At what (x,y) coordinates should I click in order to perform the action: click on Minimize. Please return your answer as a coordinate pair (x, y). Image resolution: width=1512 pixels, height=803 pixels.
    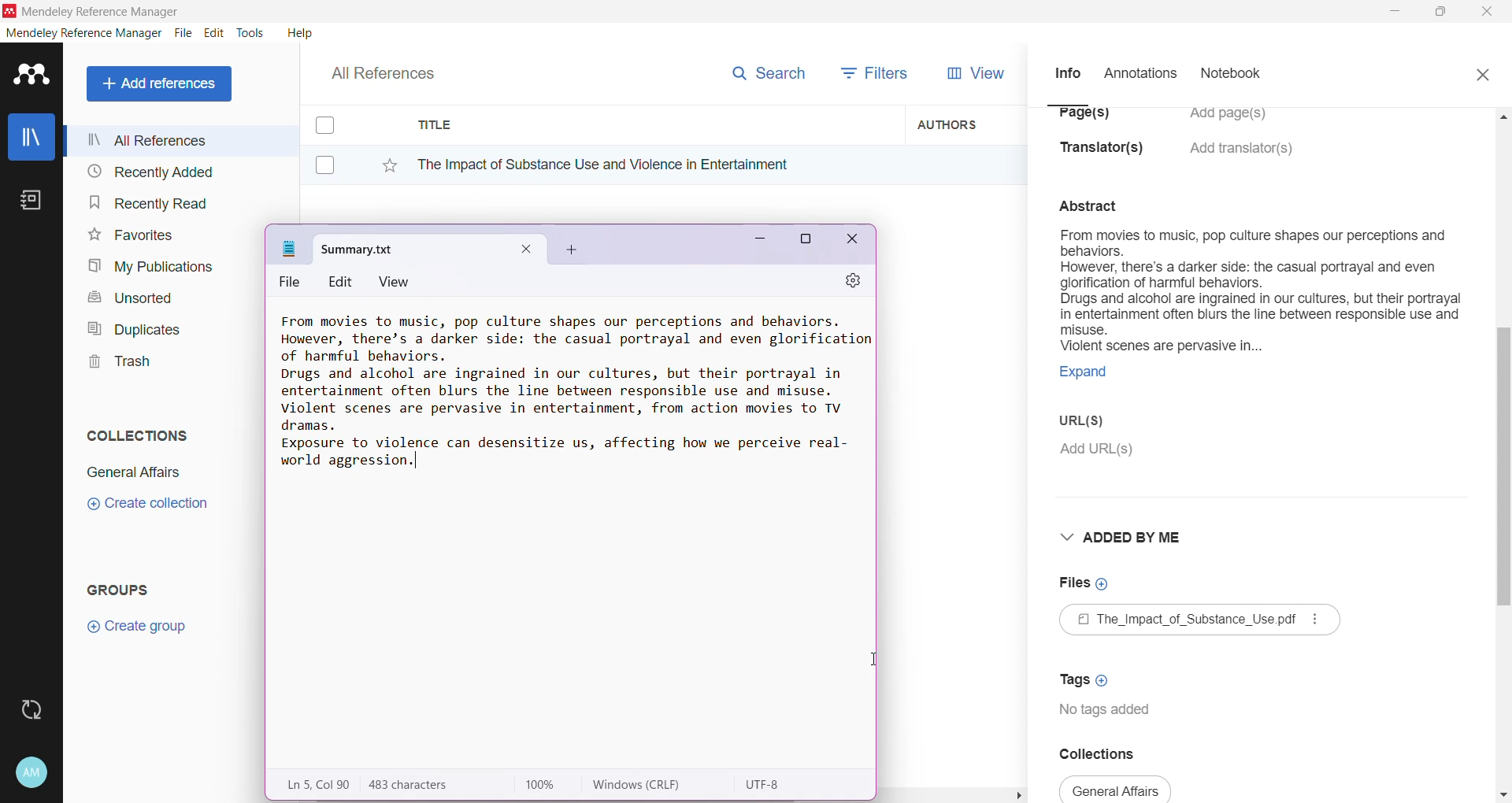
    Looking at the image, I should click on (1395, 12).